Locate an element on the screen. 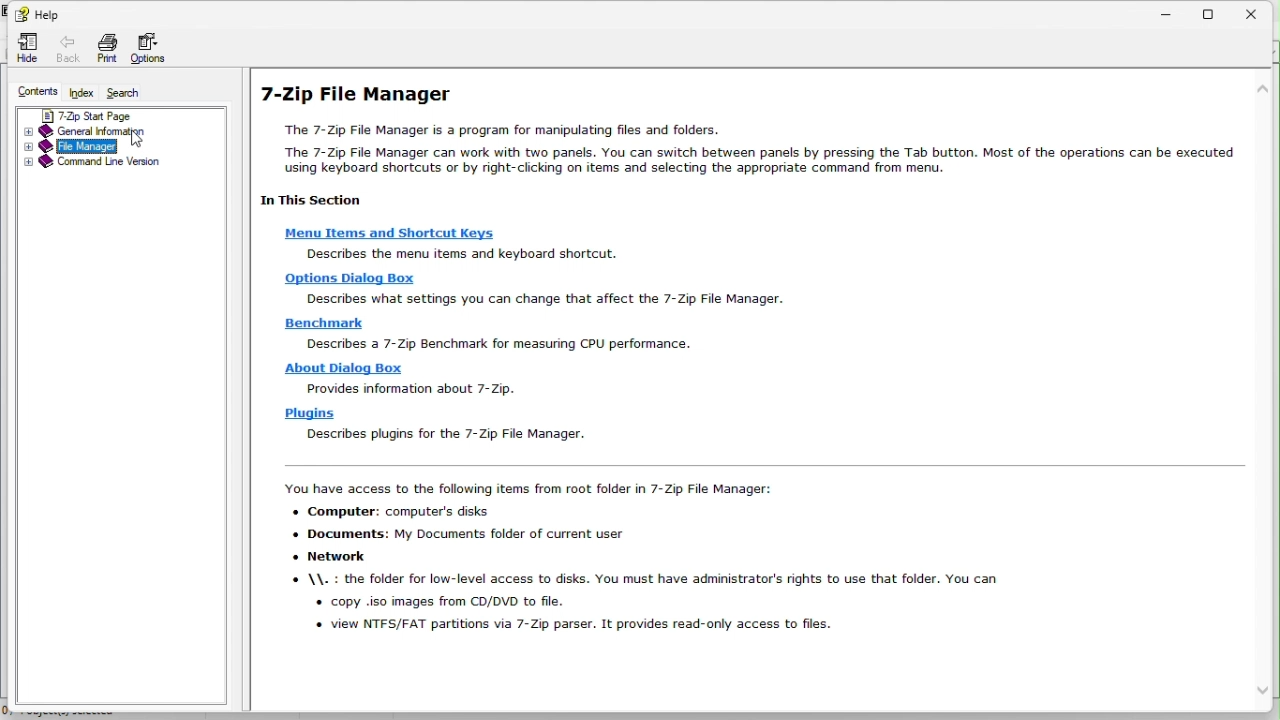 The image size is (1280, 720). hide is located at coordinates (23, 49).